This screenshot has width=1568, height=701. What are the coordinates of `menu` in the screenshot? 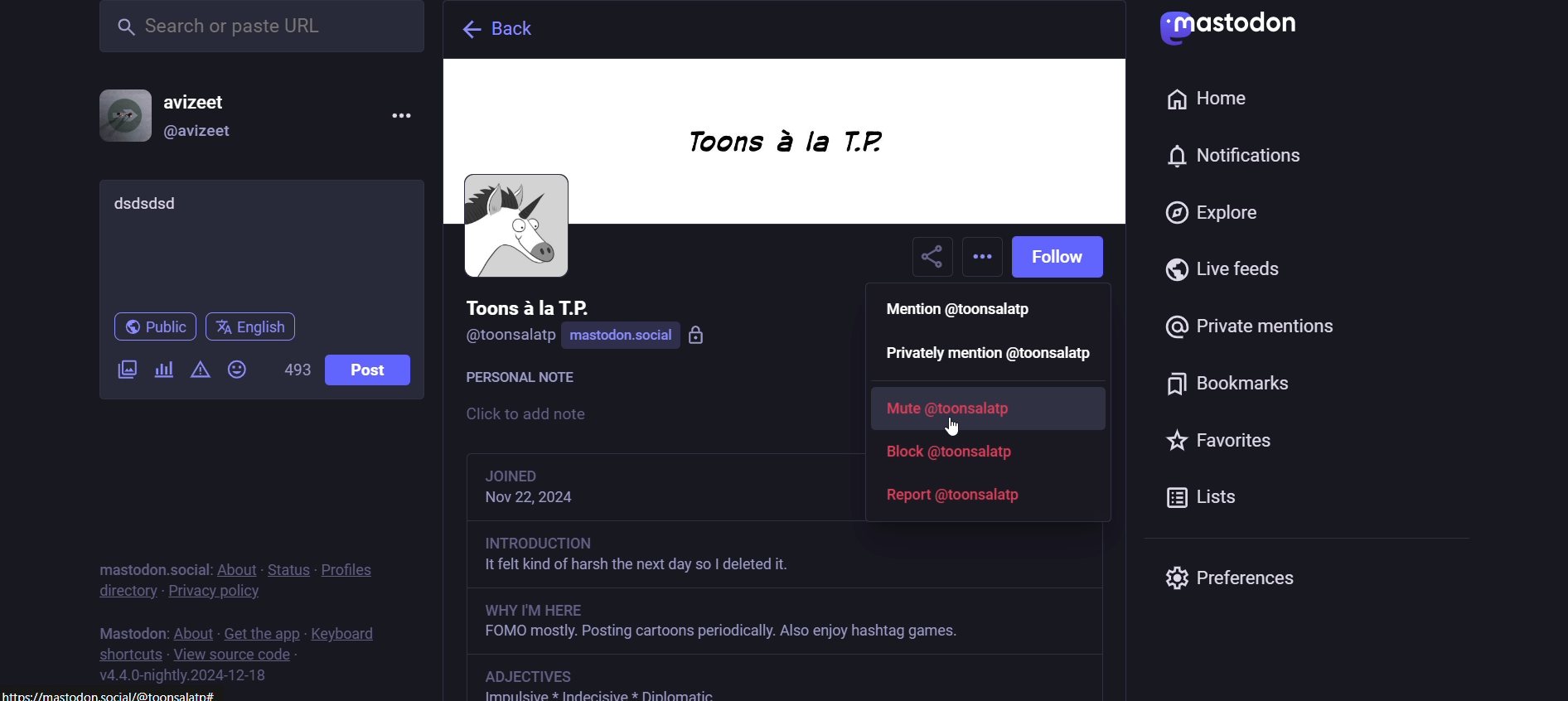 It's located at (113, 696).